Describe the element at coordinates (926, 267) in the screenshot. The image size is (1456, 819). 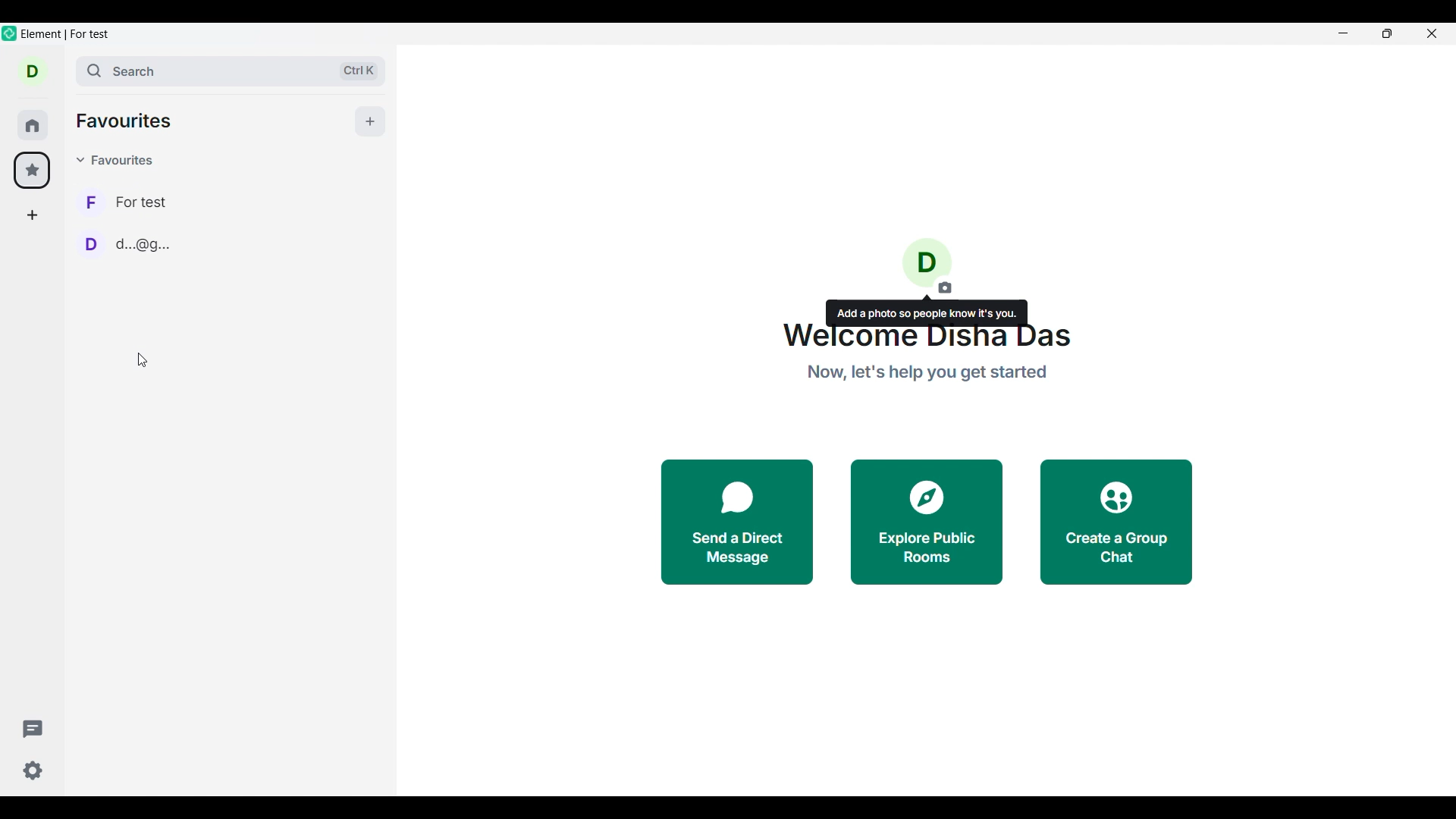
I see `Change image` at that location.